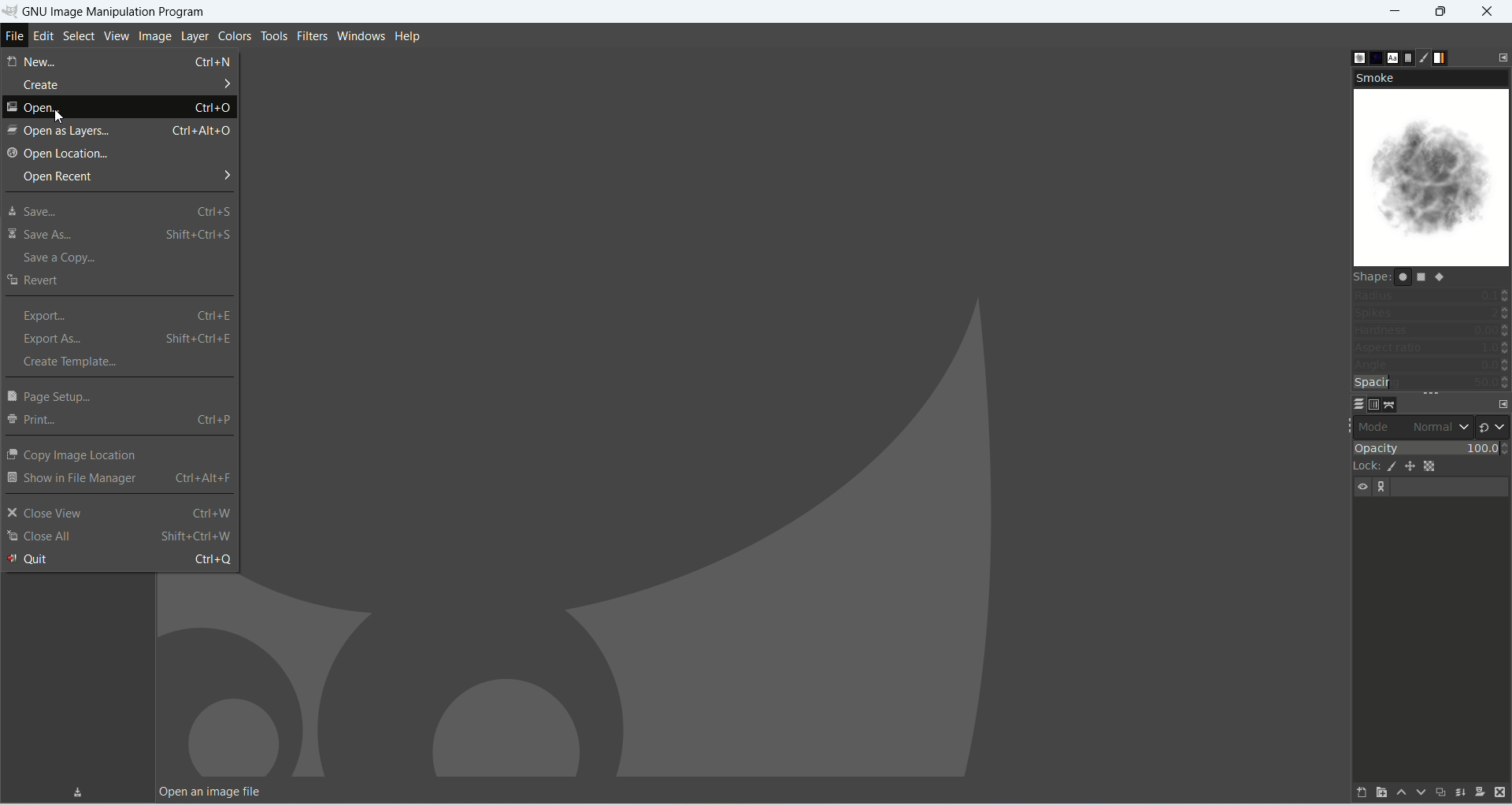  I want to click on close view, so click(119, 514).